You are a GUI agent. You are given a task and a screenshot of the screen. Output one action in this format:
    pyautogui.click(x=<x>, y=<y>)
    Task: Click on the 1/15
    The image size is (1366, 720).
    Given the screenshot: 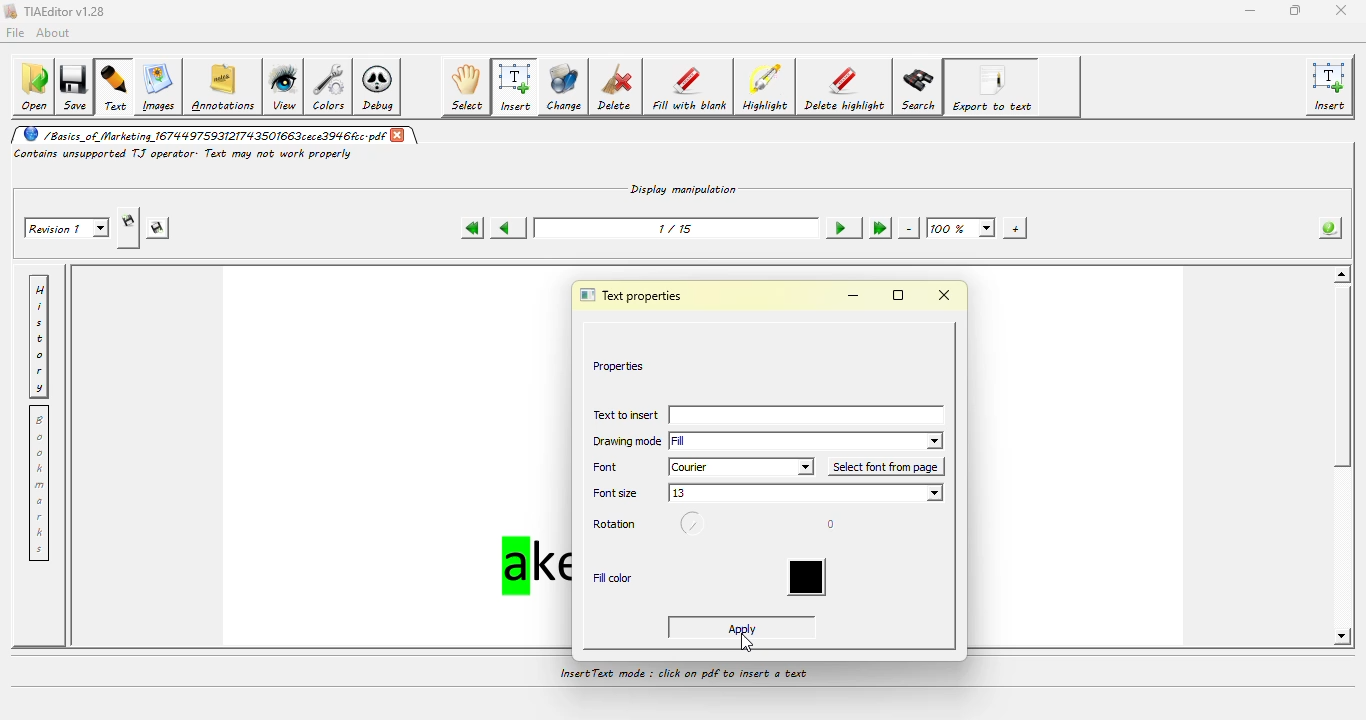 What is the action you would take?
    pyautogui.click(x=674, y=227)
    